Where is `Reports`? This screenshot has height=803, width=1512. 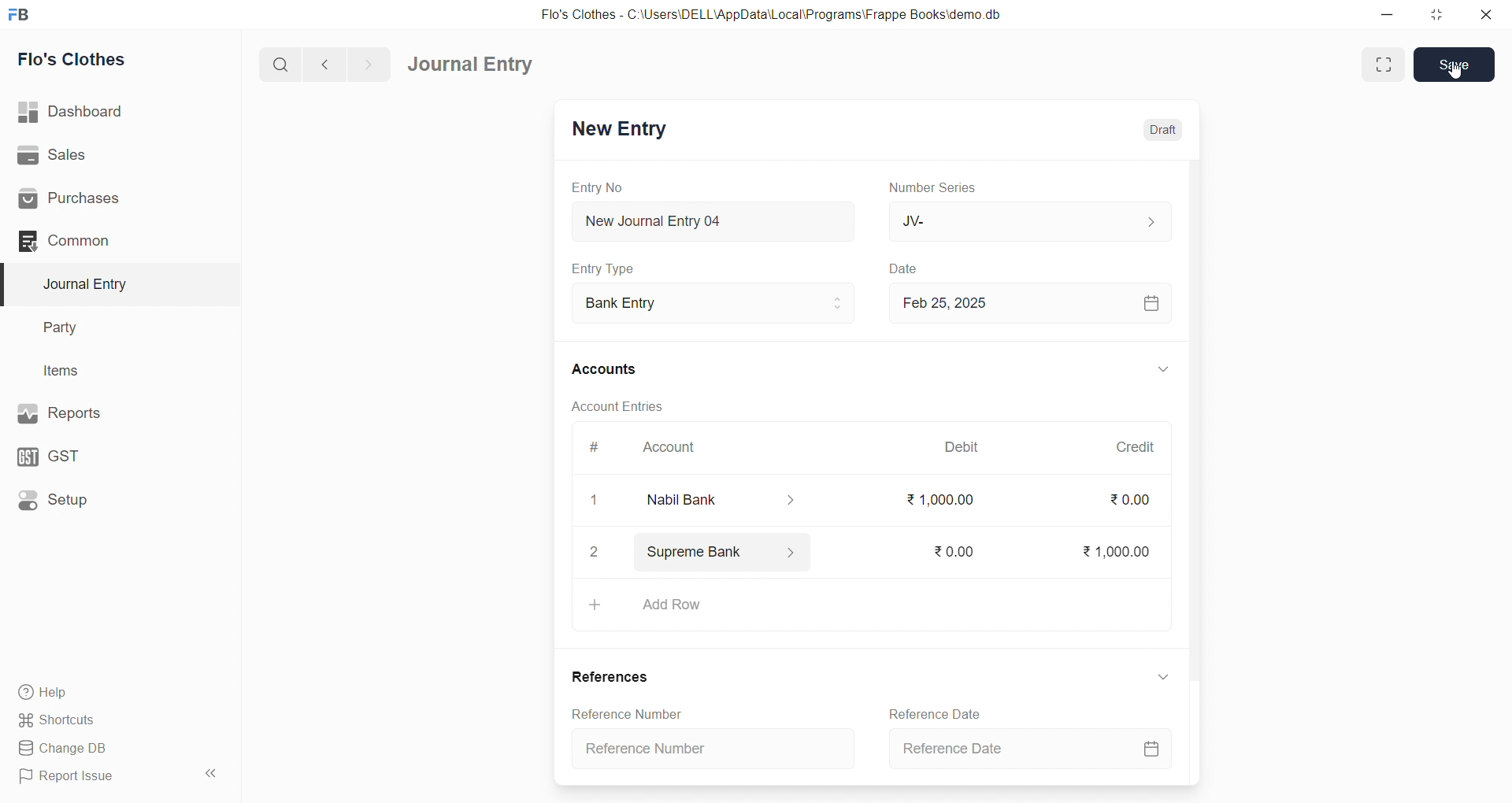 Reports is located at coordinates (110, 412).